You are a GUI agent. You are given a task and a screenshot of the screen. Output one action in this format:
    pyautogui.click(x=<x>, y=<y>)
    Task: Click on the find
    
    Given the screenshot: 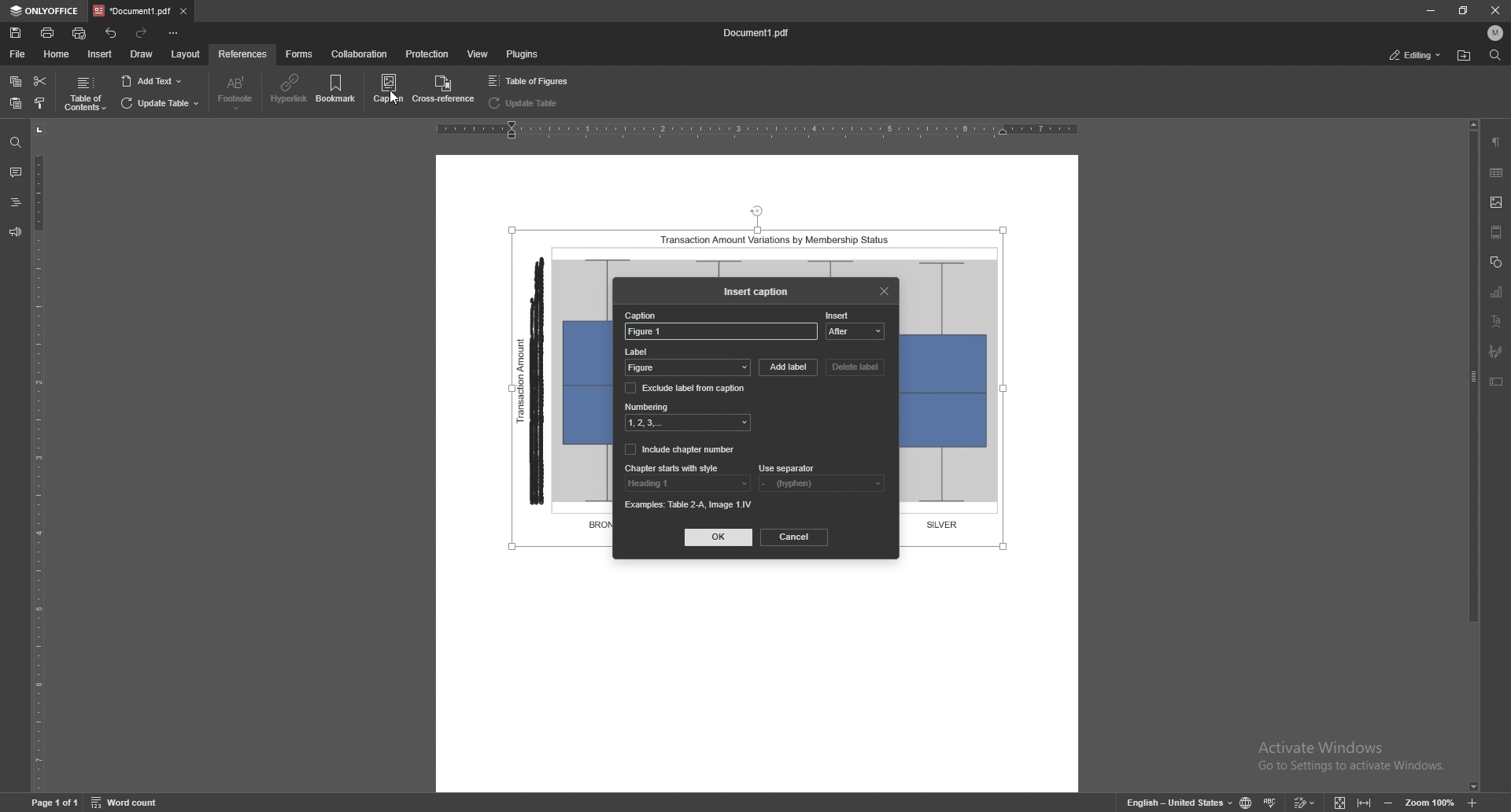 What is the action you would take?
    pyautogui.click(x=16, y=143)
    